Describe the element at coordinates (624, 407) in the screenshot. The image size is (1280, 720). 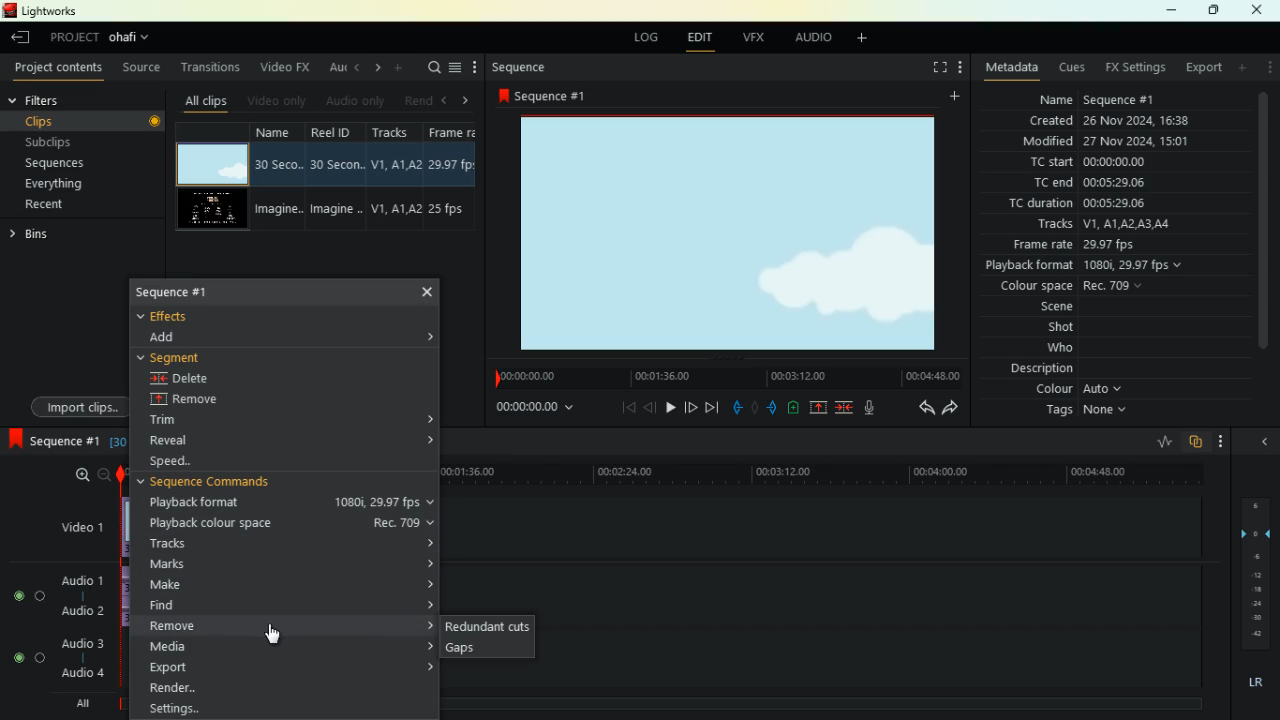
I see `beggining` at that location.